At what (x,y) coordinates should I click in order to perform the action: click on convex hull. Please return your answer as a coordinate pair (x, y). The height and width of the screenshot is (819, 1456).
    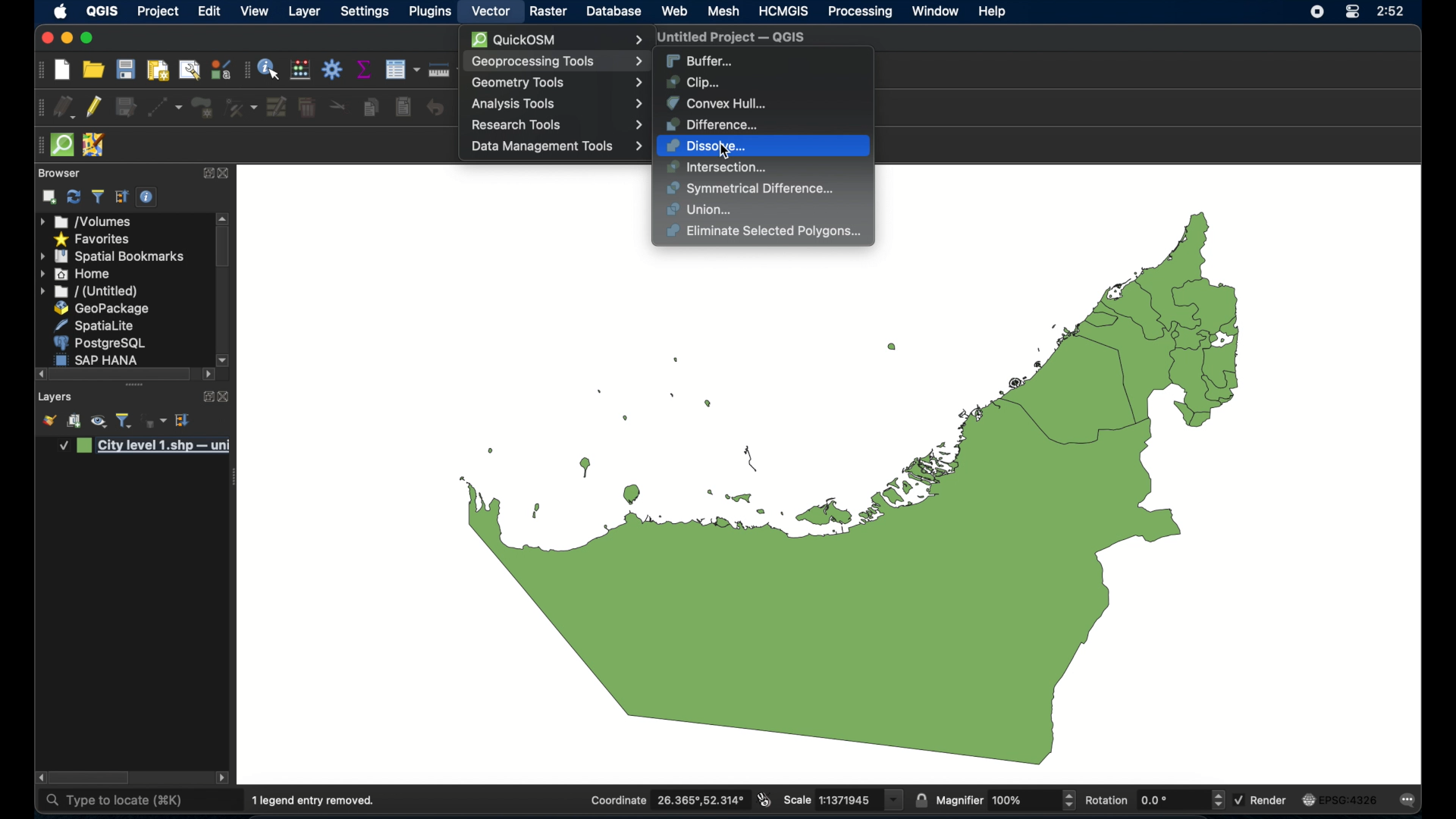
    Looking at the image, I should click on (716, 102).